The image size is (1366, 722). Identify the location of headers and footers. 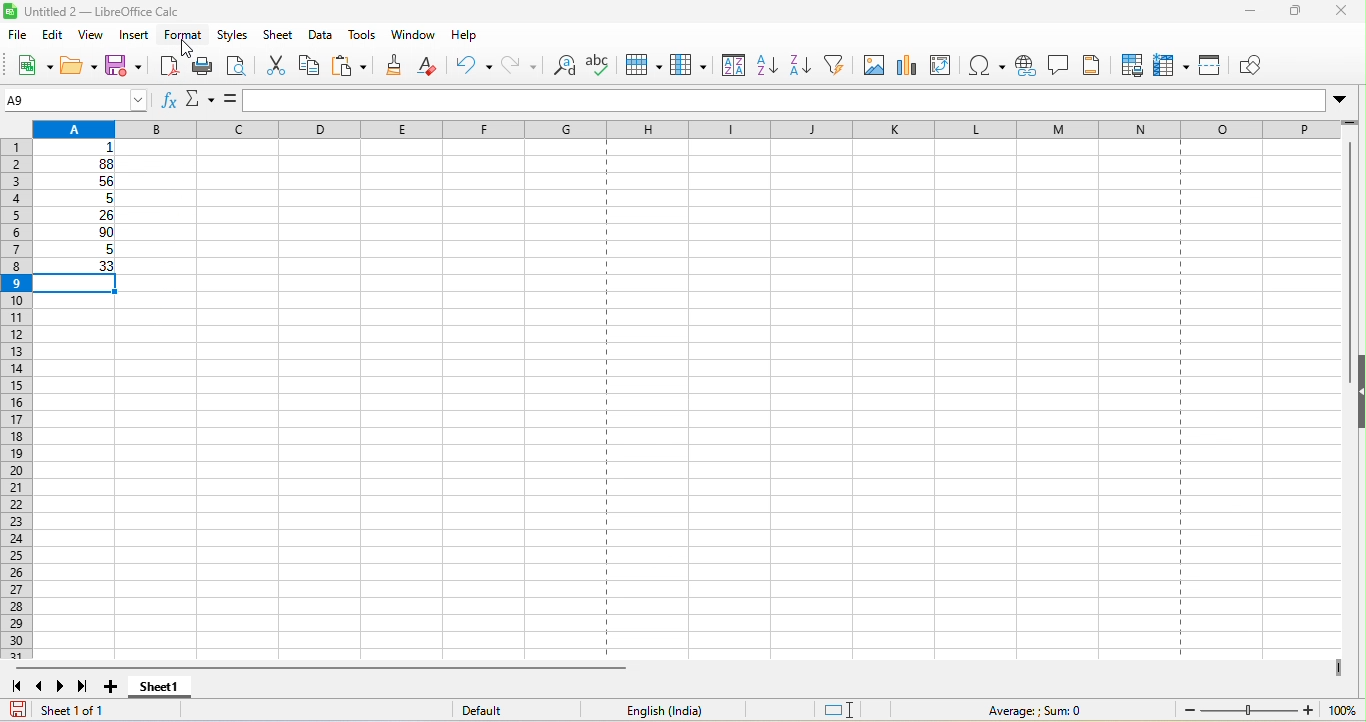
(1094, 65).